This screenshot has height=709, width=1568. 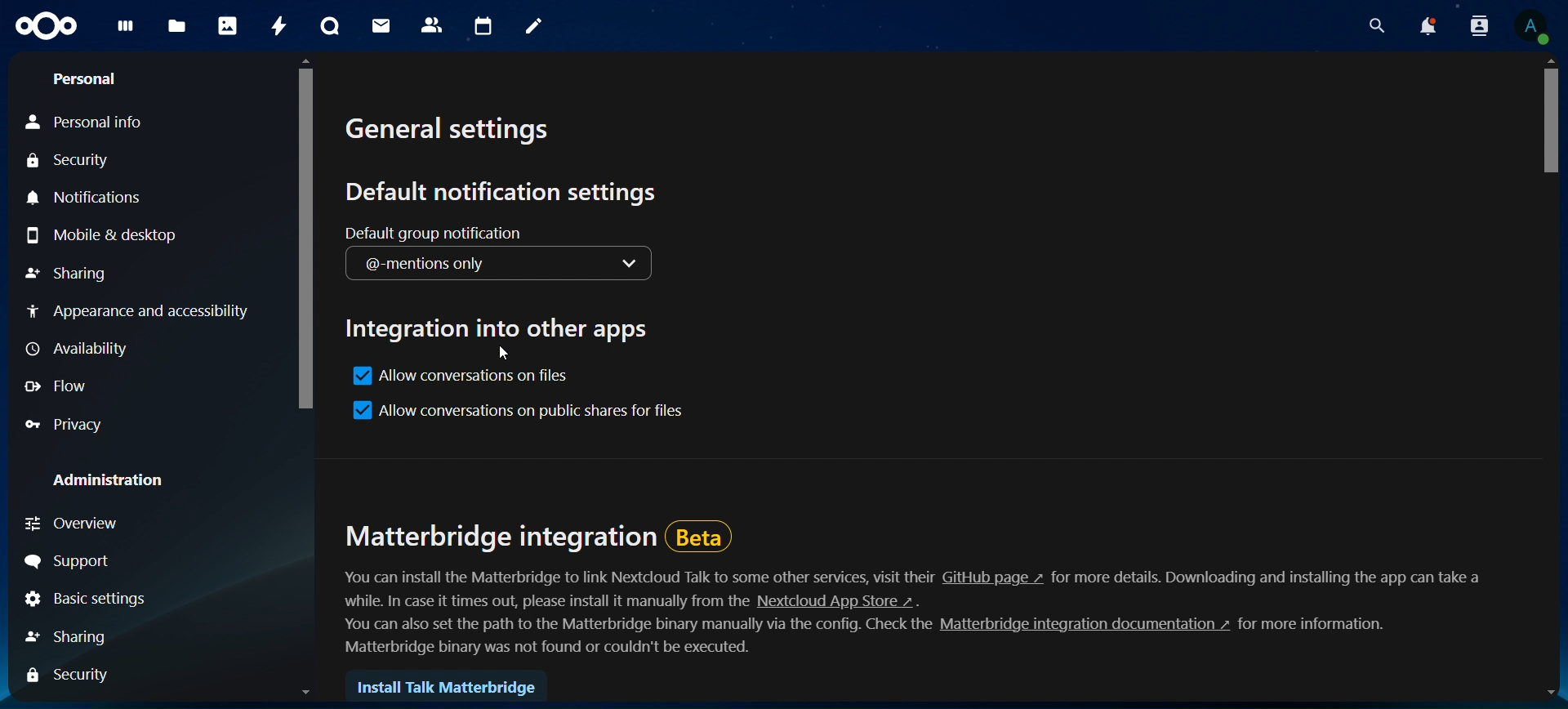 What do you see at coordinates (432, 26) in the screenshot?
I see `contacts` at bounding box center [432, 26].